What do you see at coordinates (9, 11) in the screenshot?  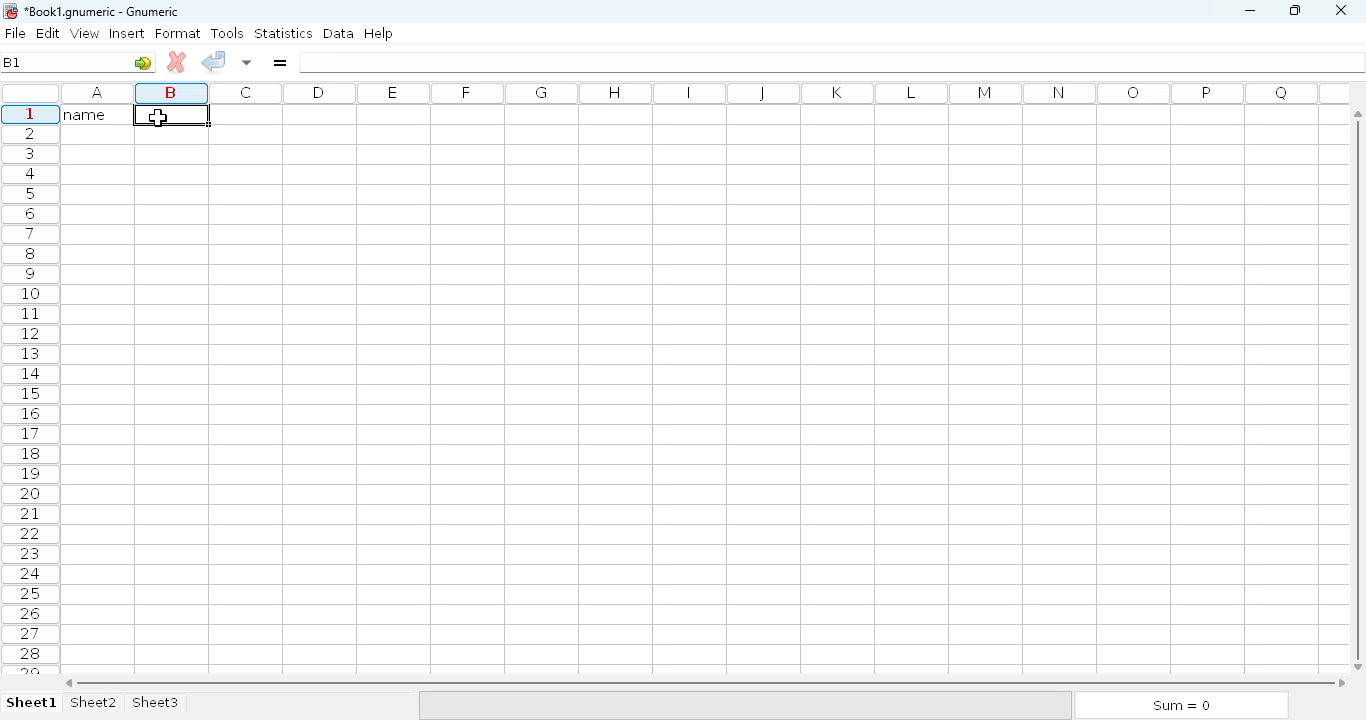 I see `logo` at bounding box center [9, 11].